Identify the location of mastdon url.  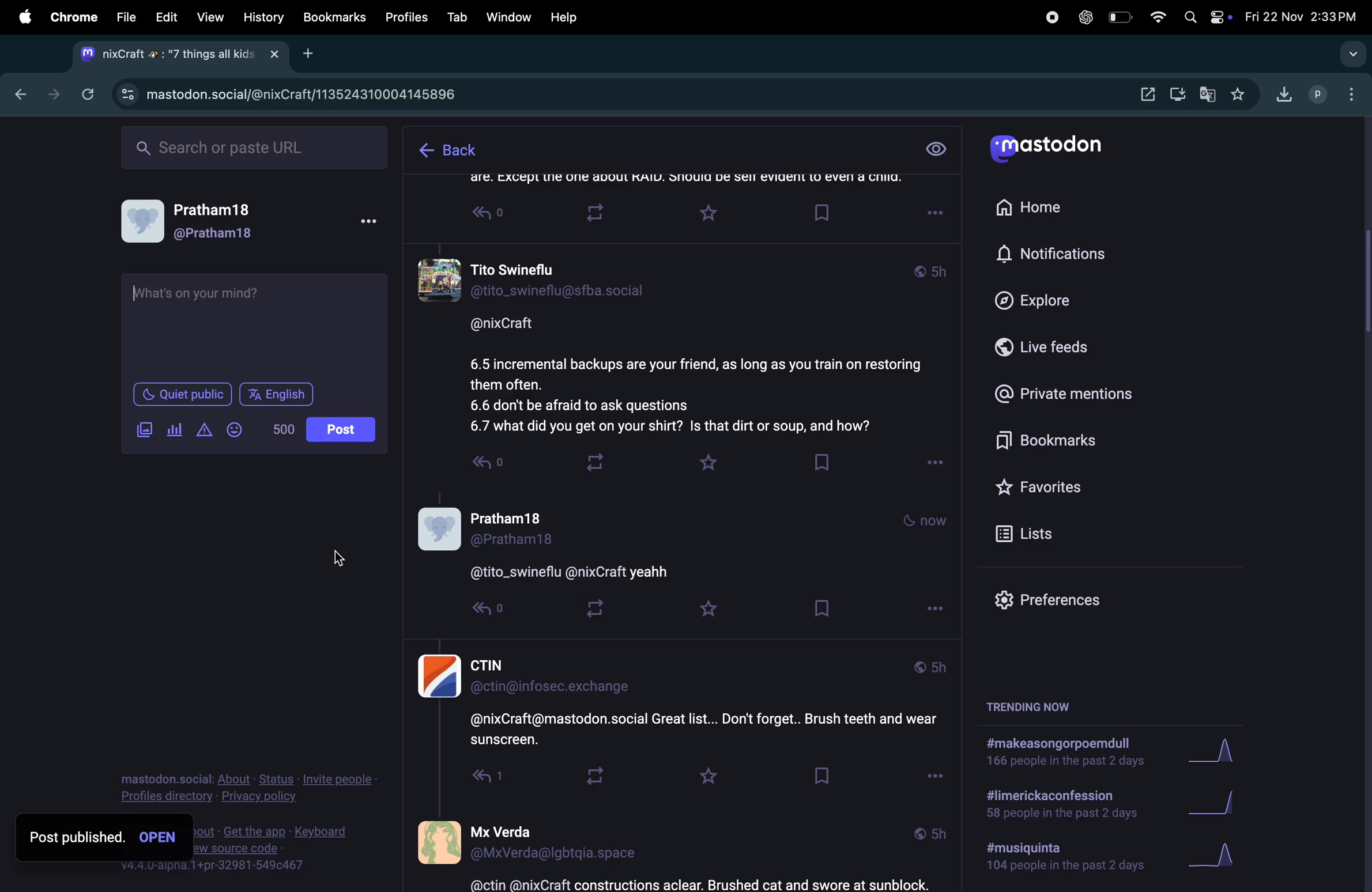
(325, 91).